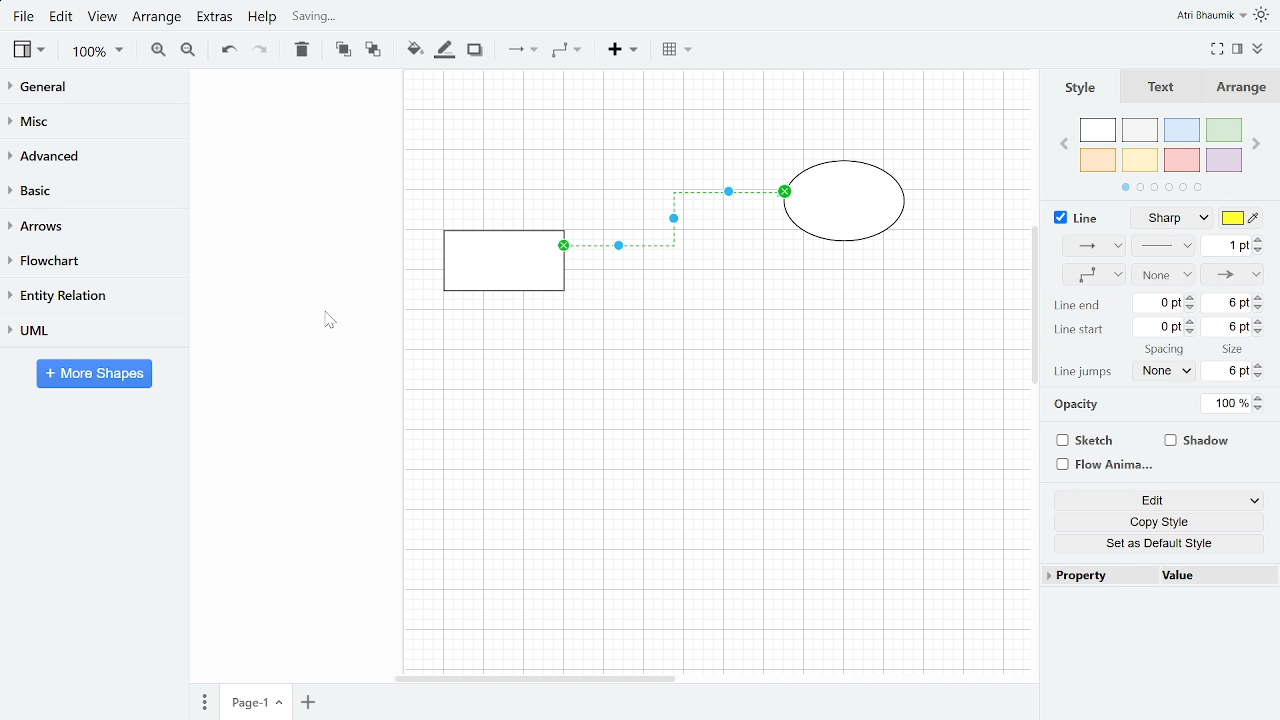  Describe the element at coordinates (1101, 465) in the screenshot. I see `Flow anima` at that location.